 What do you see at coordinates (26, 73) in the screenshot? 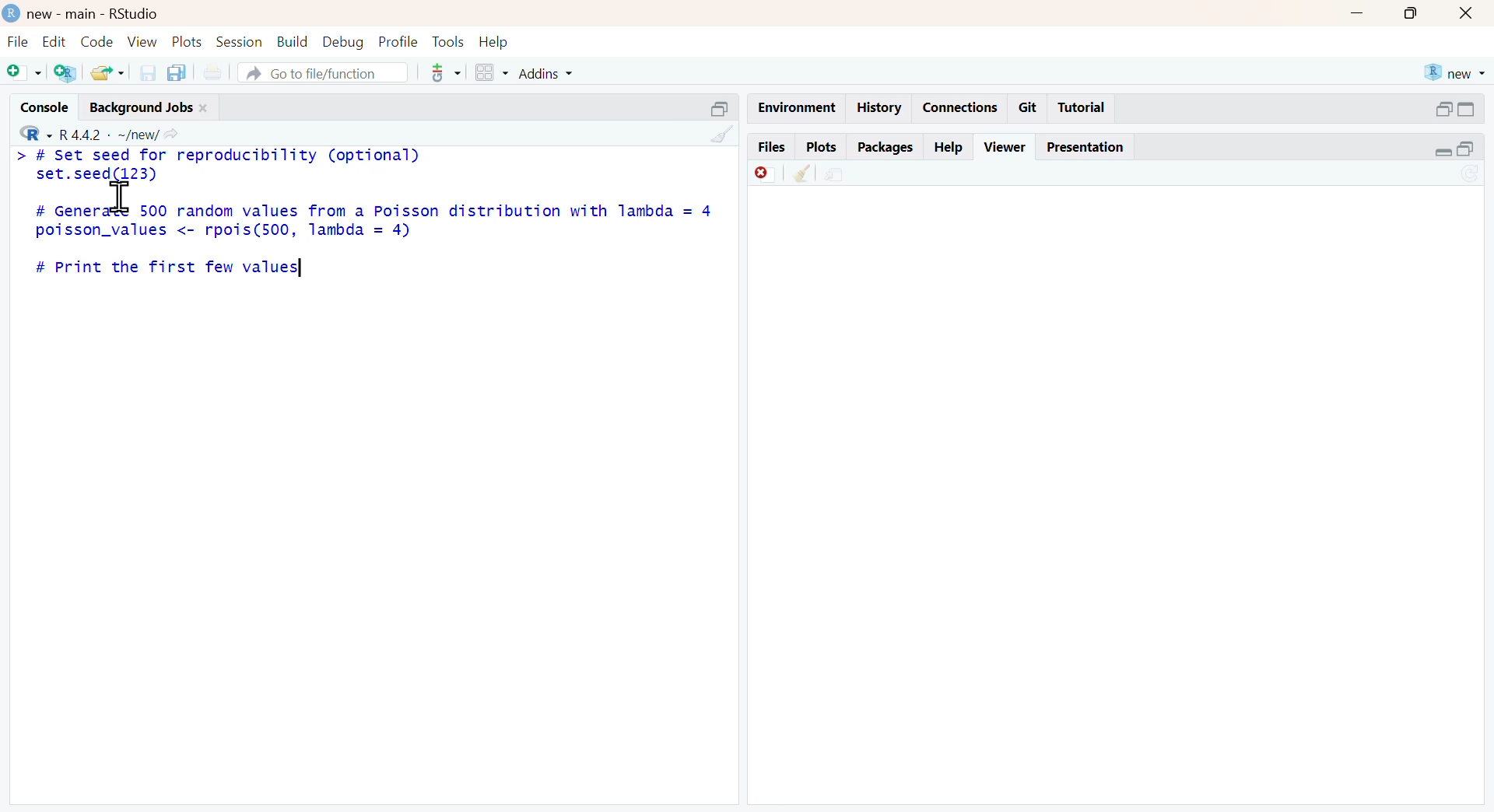
I see `Add file as` at bounding box center [26, 73].